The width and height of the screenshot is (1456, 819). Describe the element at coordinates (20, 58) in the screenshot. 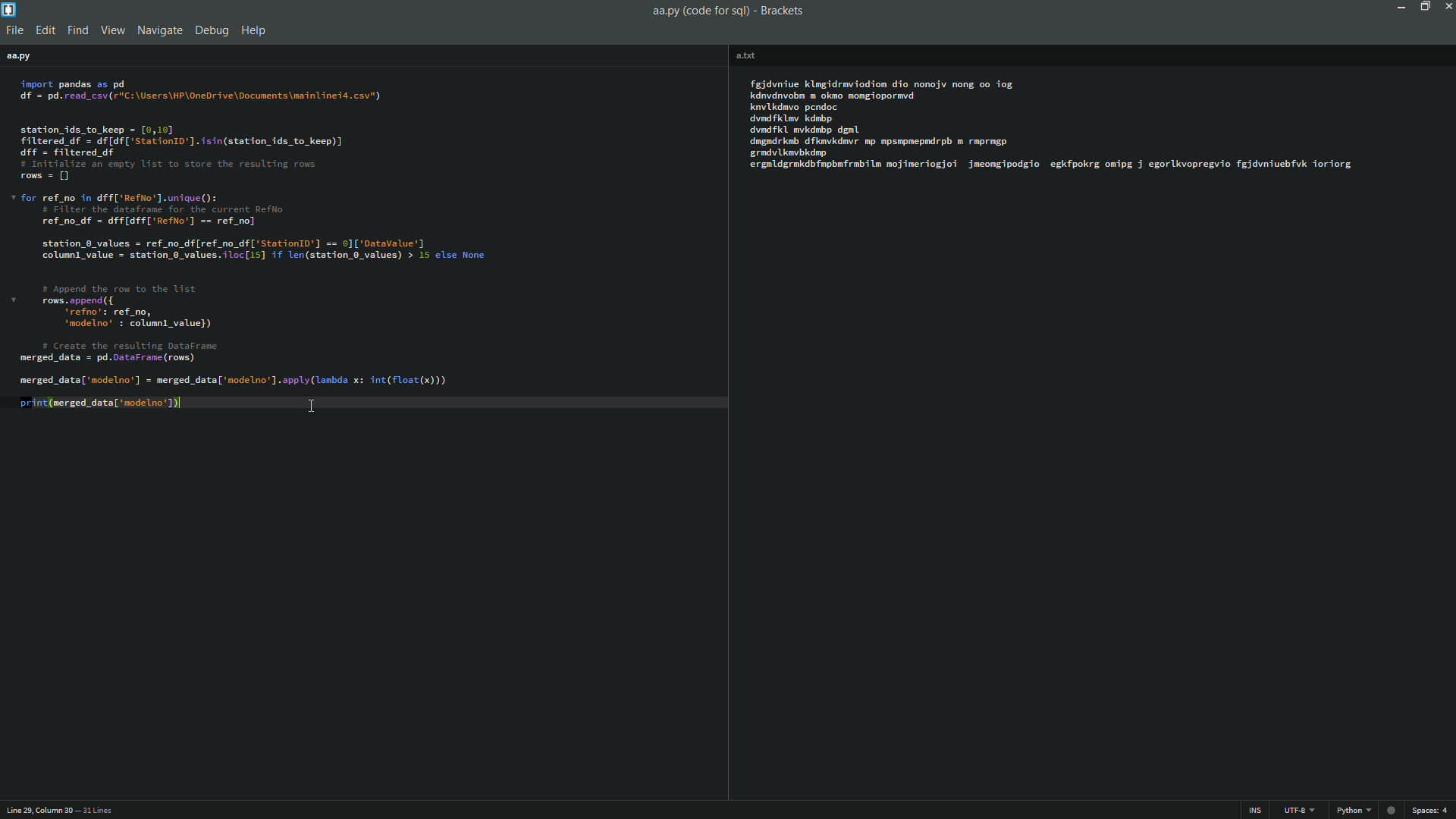

I see `file name` at that location.